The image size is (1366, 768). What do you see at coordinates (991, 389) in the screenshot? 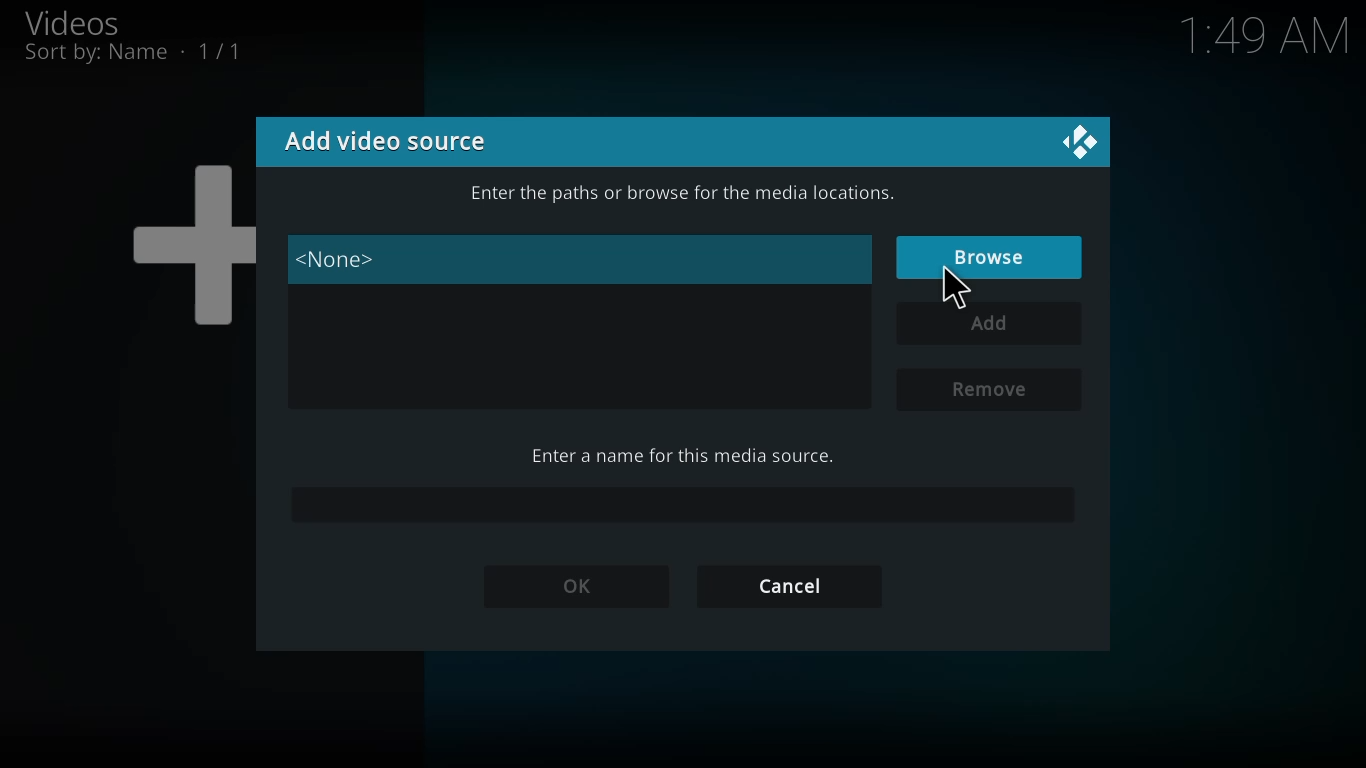
I see `remove` at bounding box center [991, 389].